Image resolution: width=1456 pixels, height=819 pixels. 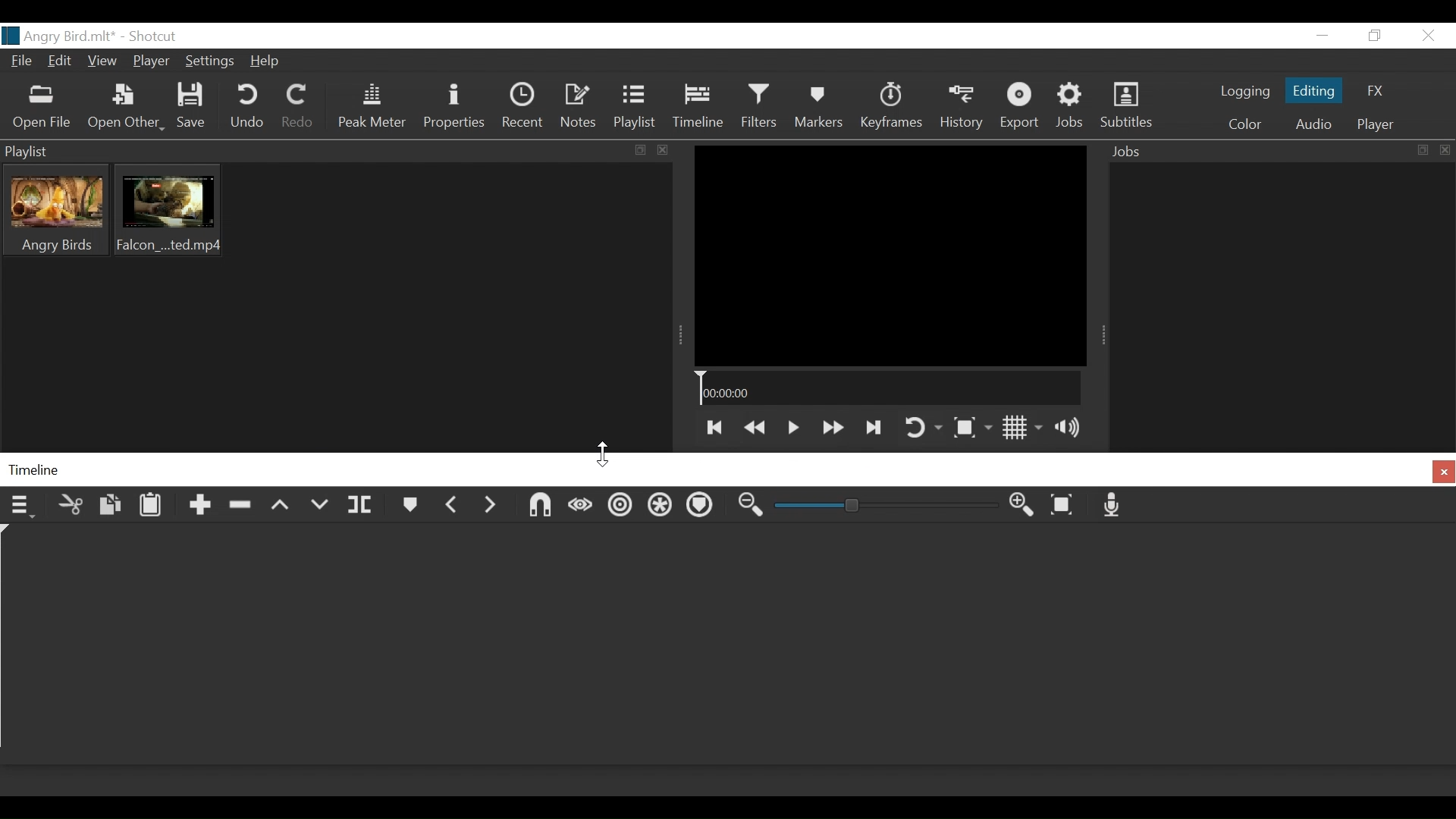 What do you see at coordinates (21, 63) in the screenshot?
I see `File` at bounding box center [21, 63].